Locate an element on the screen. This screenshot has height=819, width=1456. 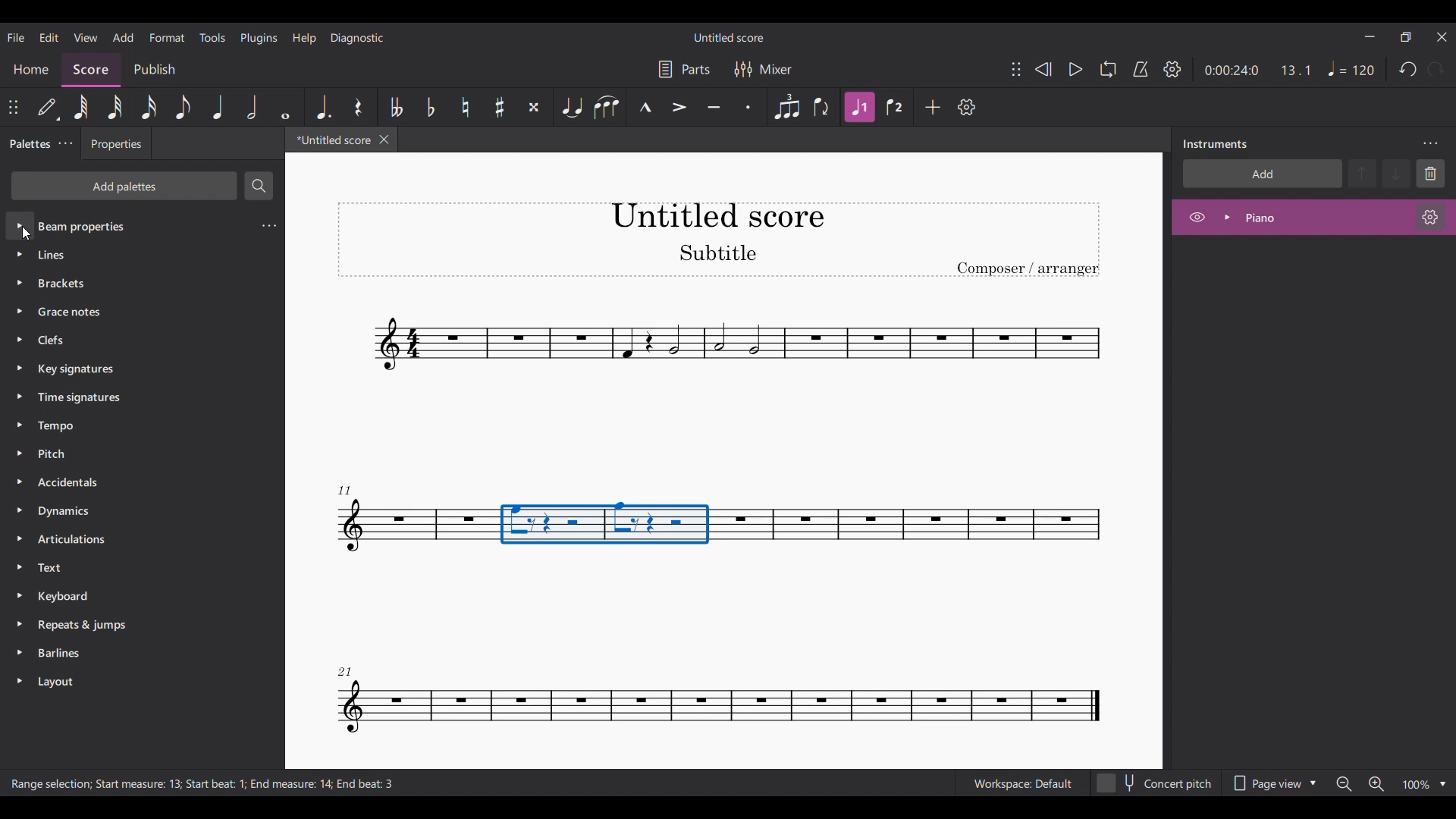
Zoom in is located at coordinates (1376, 784).